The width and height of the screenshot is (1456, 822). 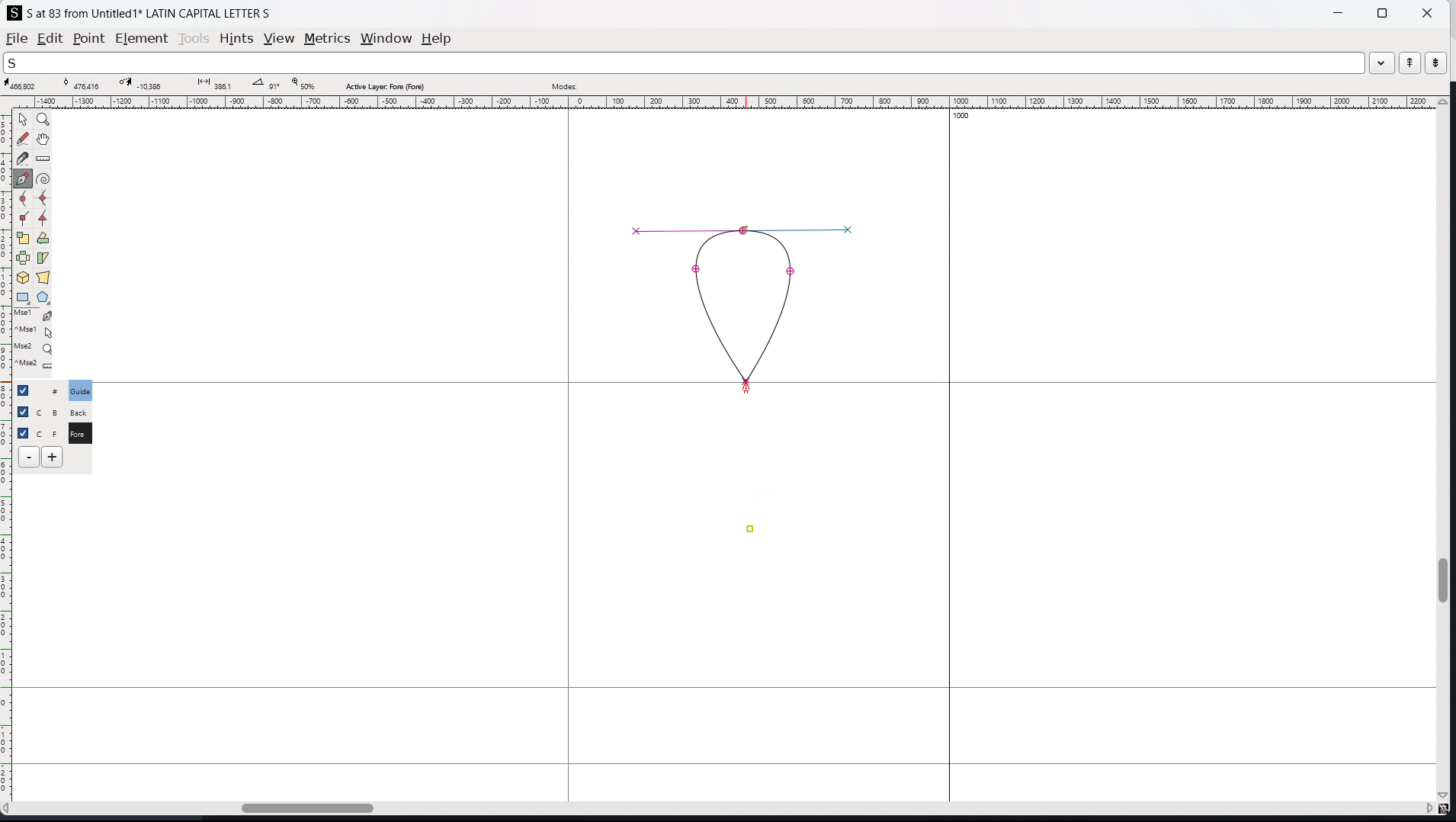 I want to click on rectangle and ellipse, so click(x=24, y=298).